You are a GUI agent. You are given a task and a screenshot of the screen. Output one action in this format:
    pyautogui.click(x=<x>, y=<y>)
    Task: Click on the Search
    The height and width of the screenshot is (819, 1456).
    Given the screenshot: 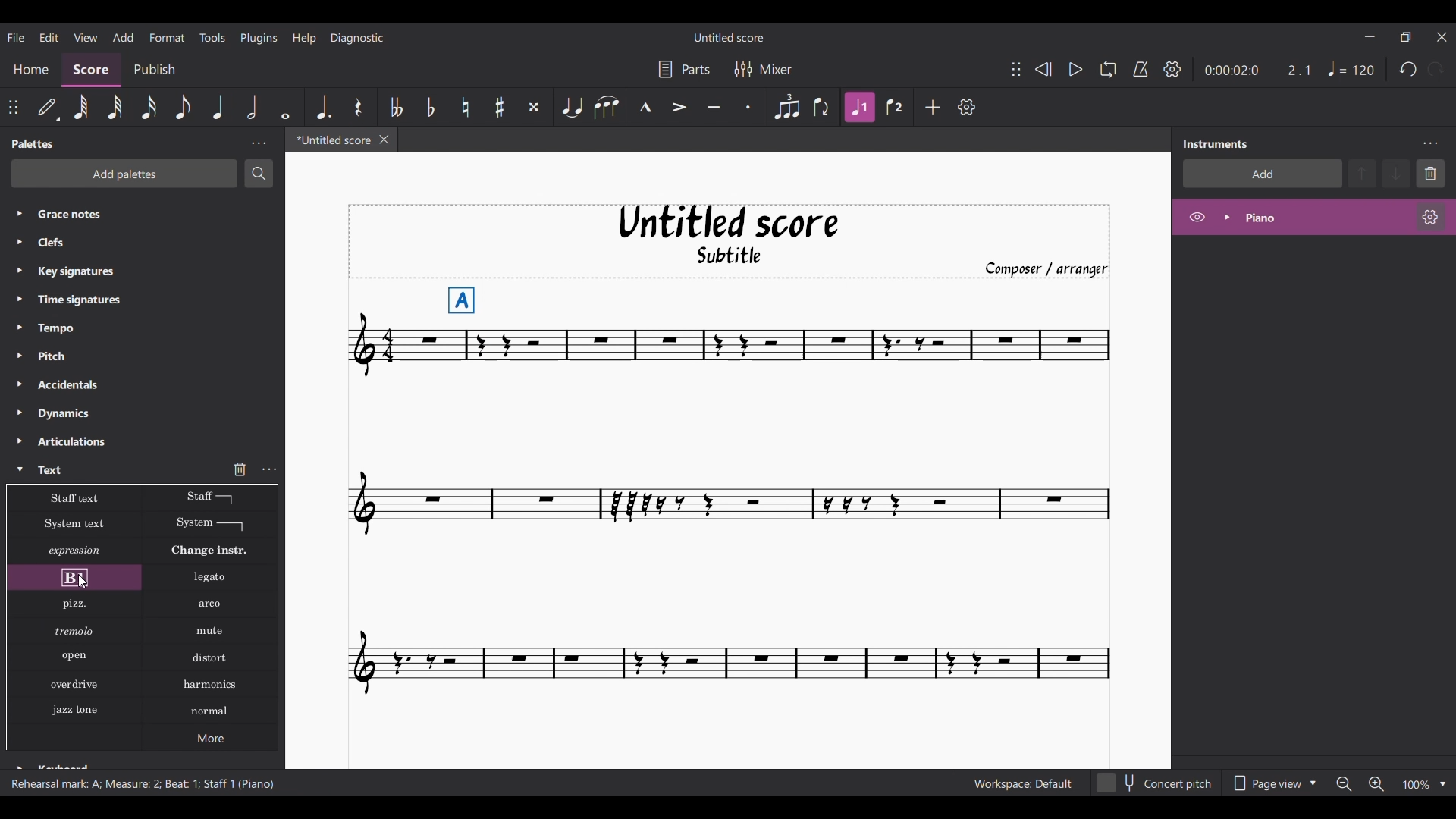 What is the action you would take?
    pyautogui.click(x=259, y=173)
    